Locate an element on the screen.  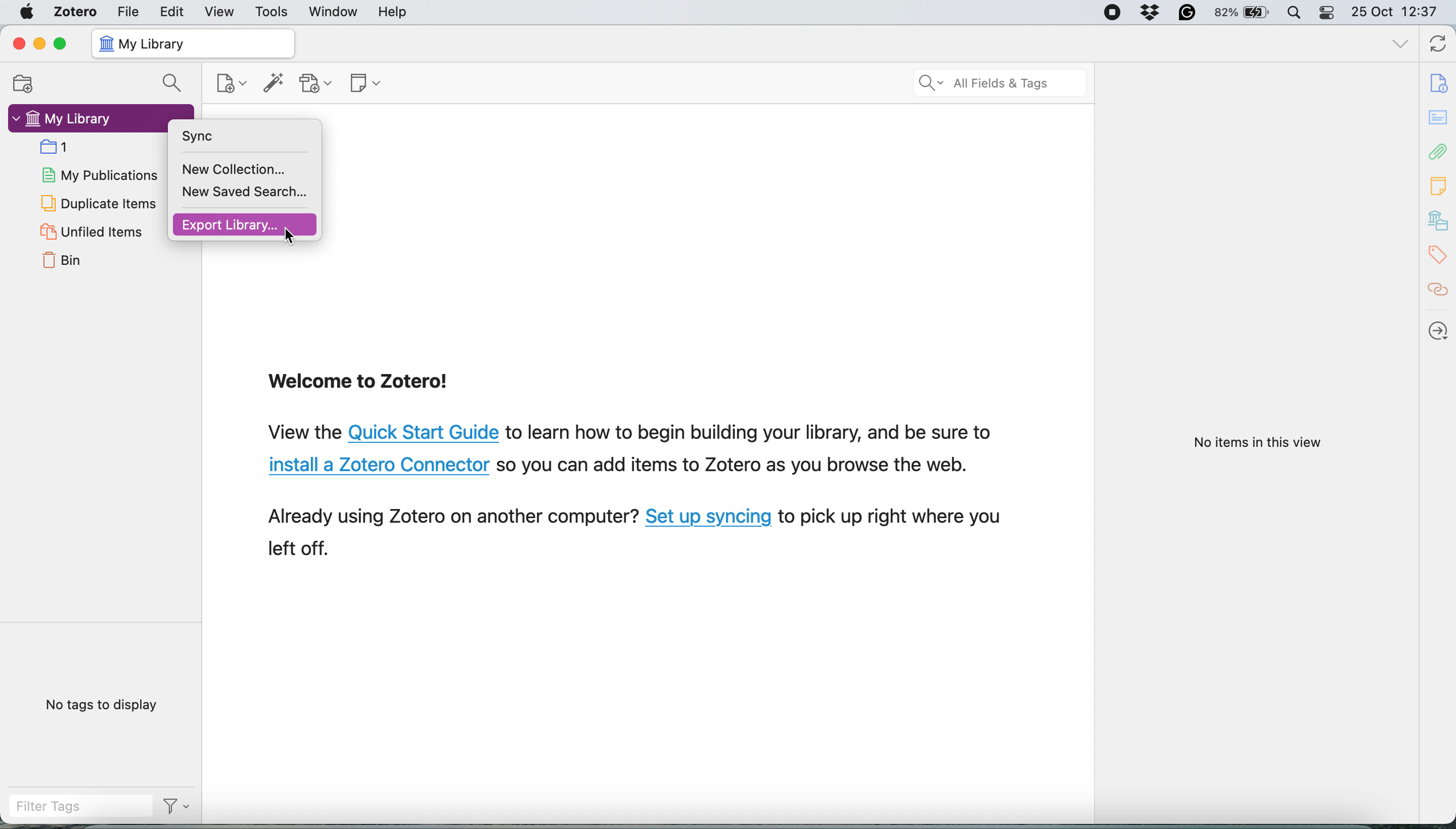
info is located at coordinates (1441, 84).